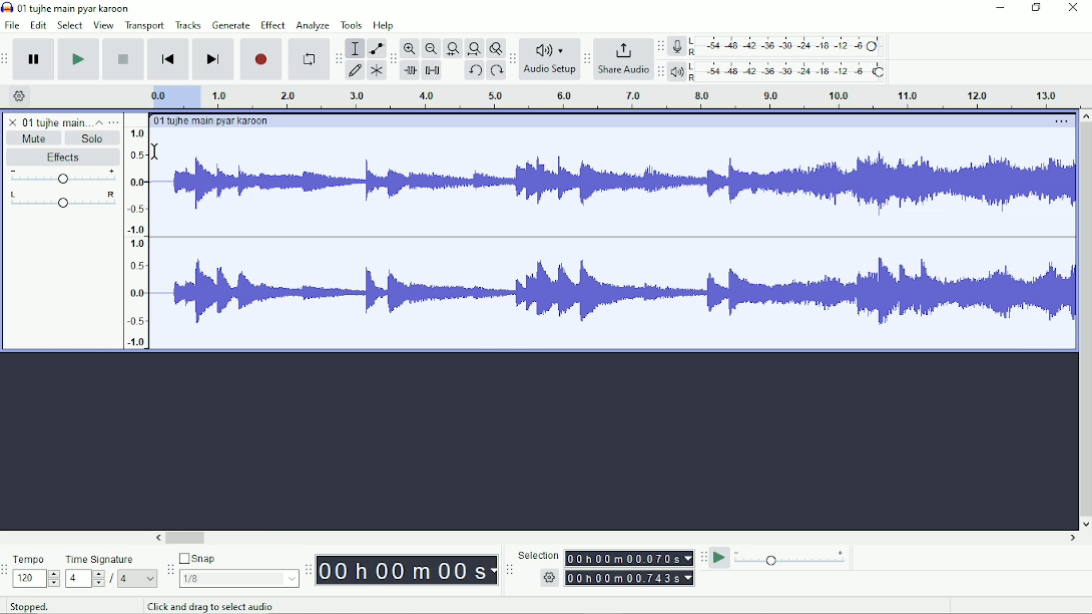 The width and height of the screenshot is (1092, 614). What do you see at coordinates (1059, 123) in the screenshot?
I see `Options` at bounding box center [1059, 123].